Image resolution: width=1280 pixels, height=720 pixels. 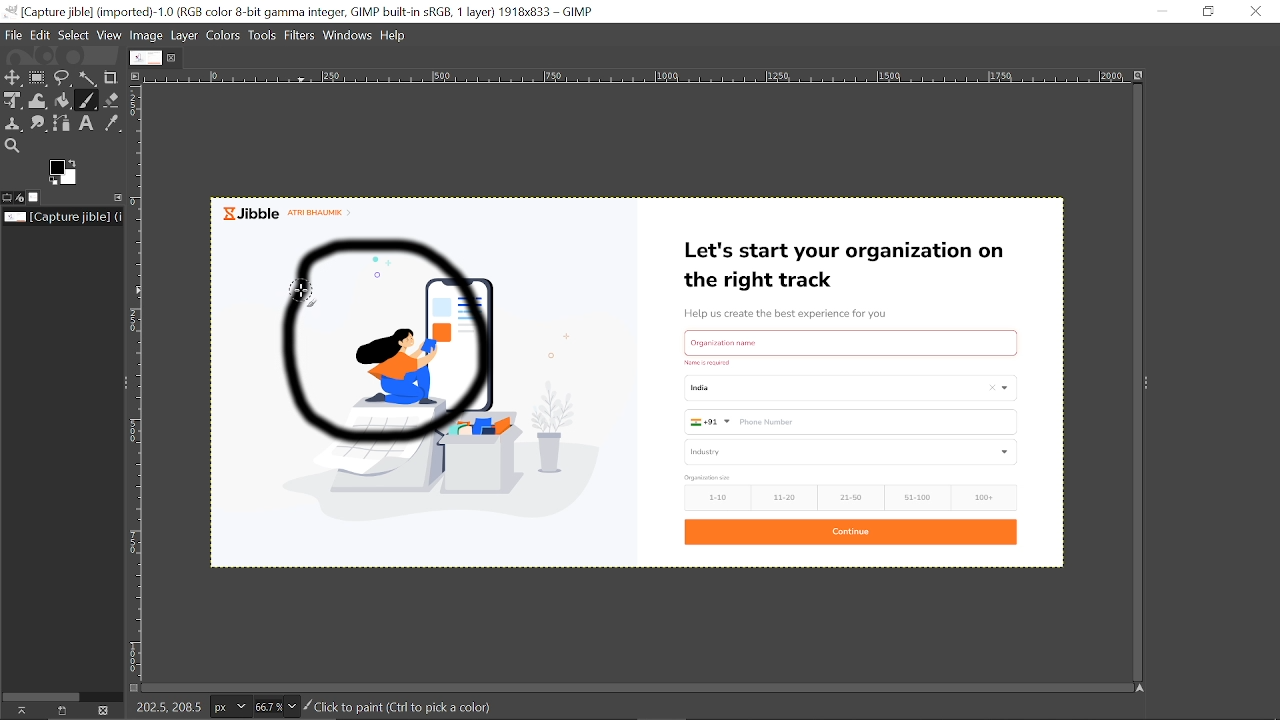 What do you see at coordinates (413, 348) in the screenshot?
I see `Circle drawn using paintbrush` at bounding box center [413, 348].